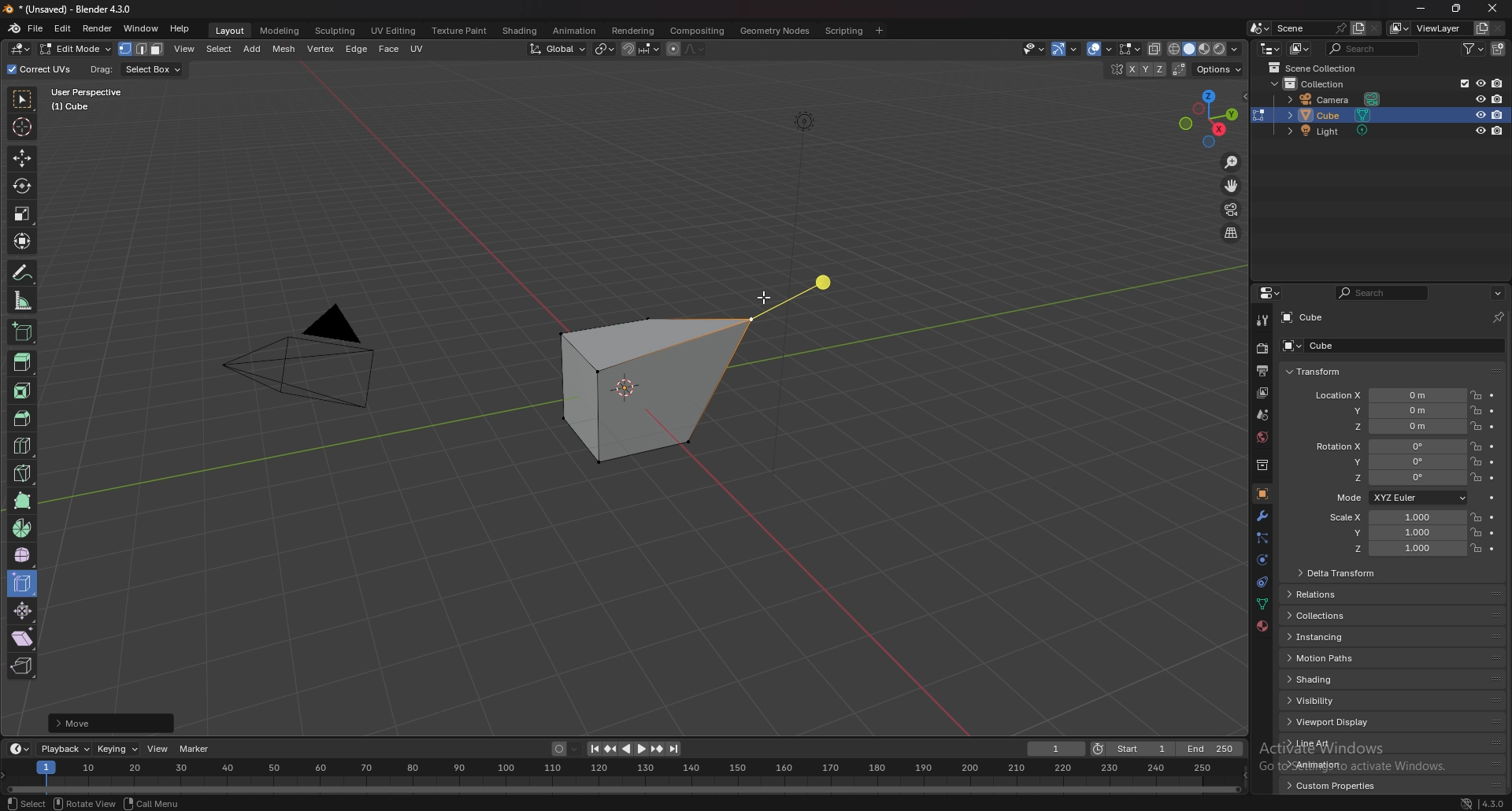 Image resolution: width=1512 pixels, height=811 pixels. What do you see at coordinates (1496, 317) in the screenshot?
I see `pin` at bounding box center [1496, 317].